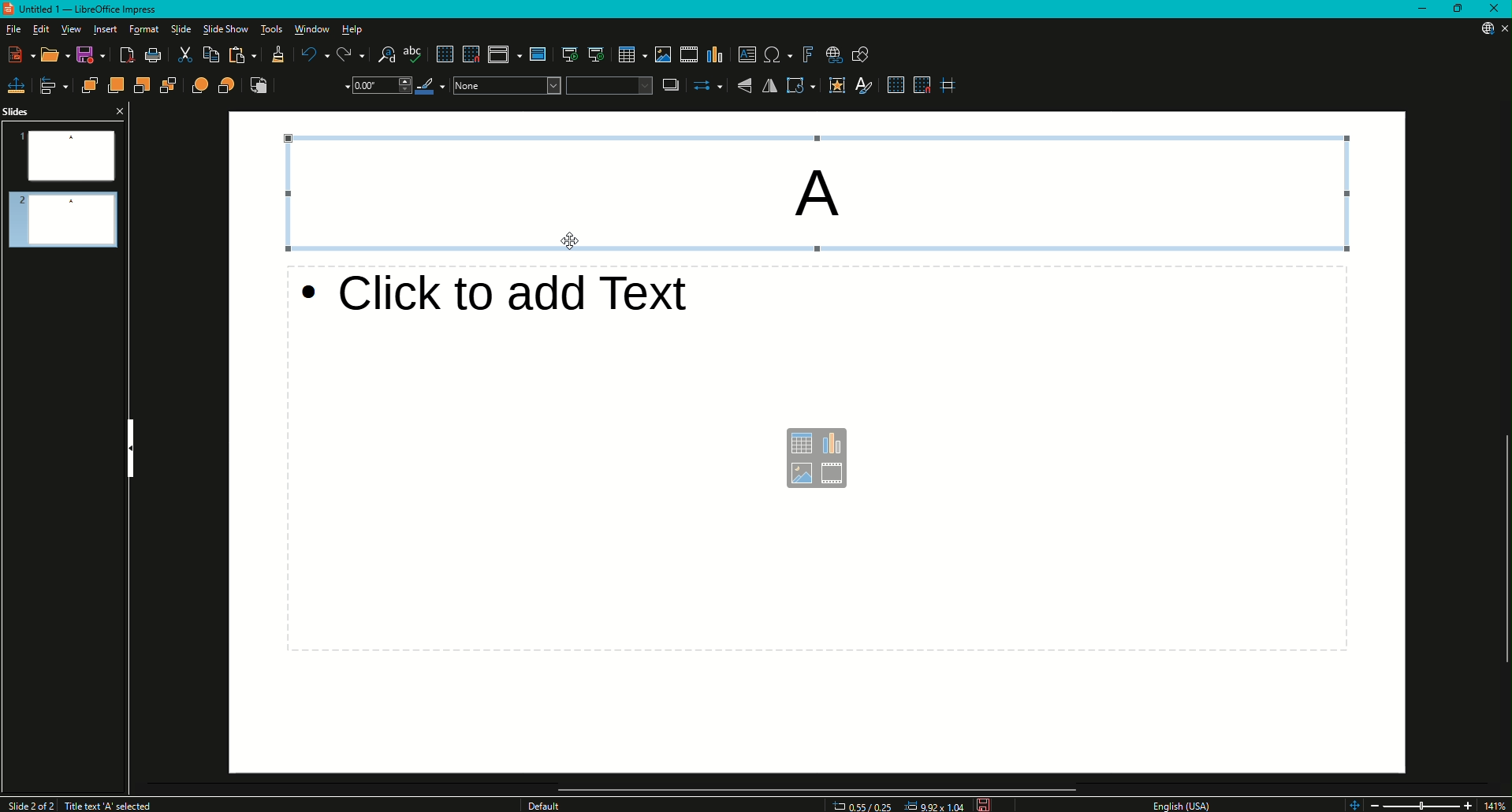  I want to click on Tools, so click(274, 30).